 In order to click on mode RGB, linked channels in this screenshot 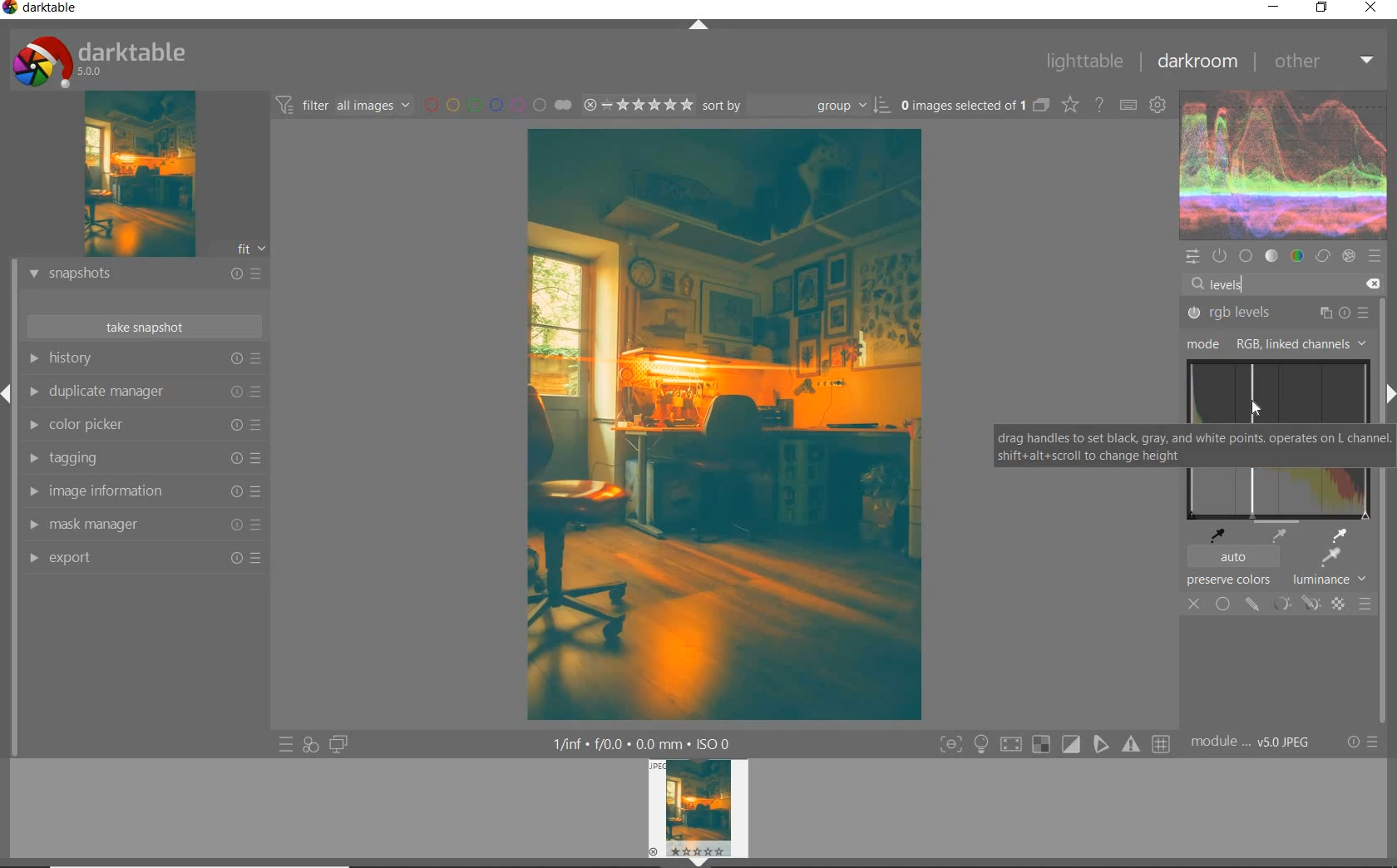, I will do `click(1272, 344)`.